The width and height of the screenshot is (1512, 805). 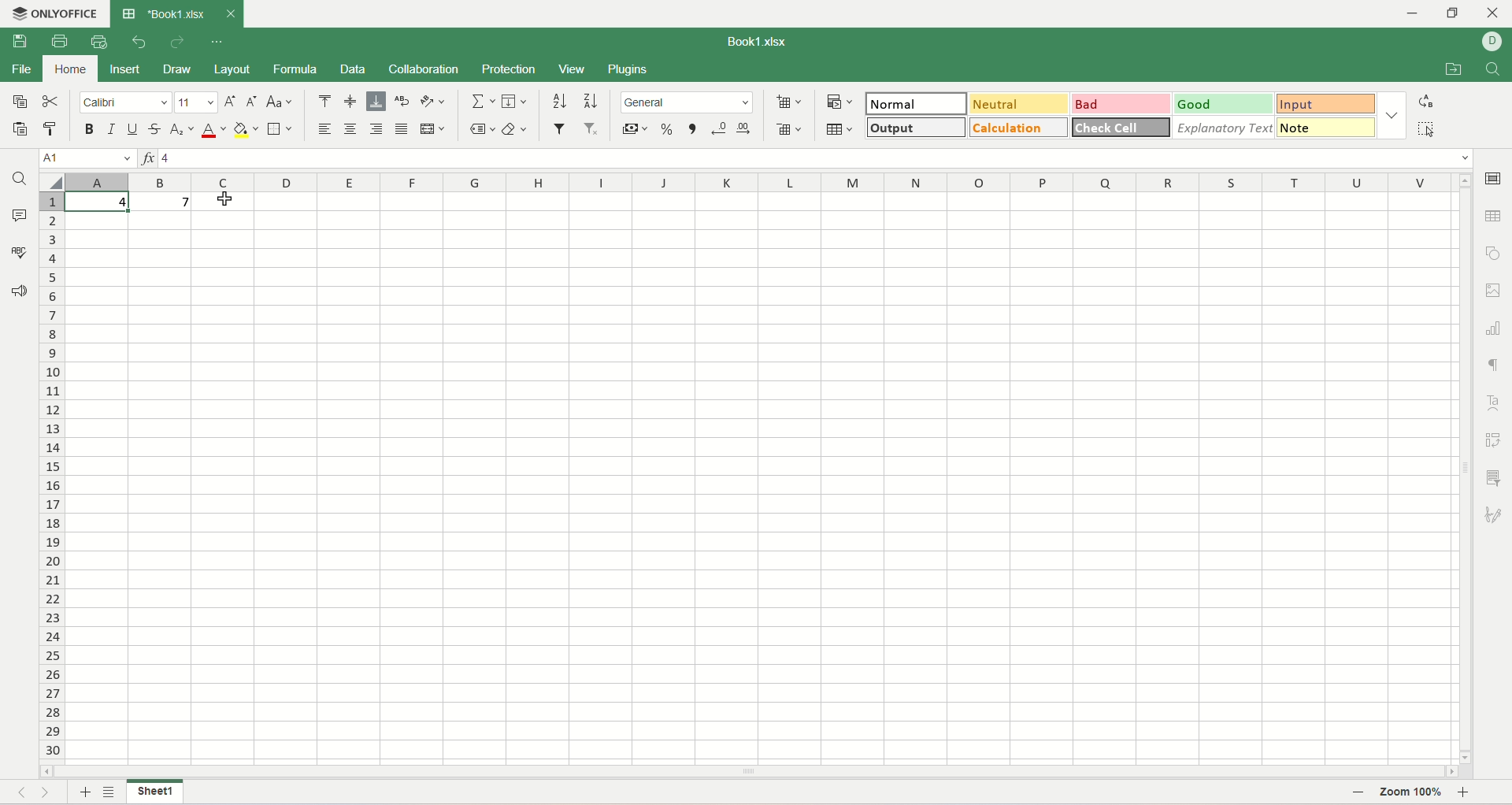 What do you see at coordinates (82, 792) in the screenshot?
I see `add sheet` at bounding box center [82, 792].